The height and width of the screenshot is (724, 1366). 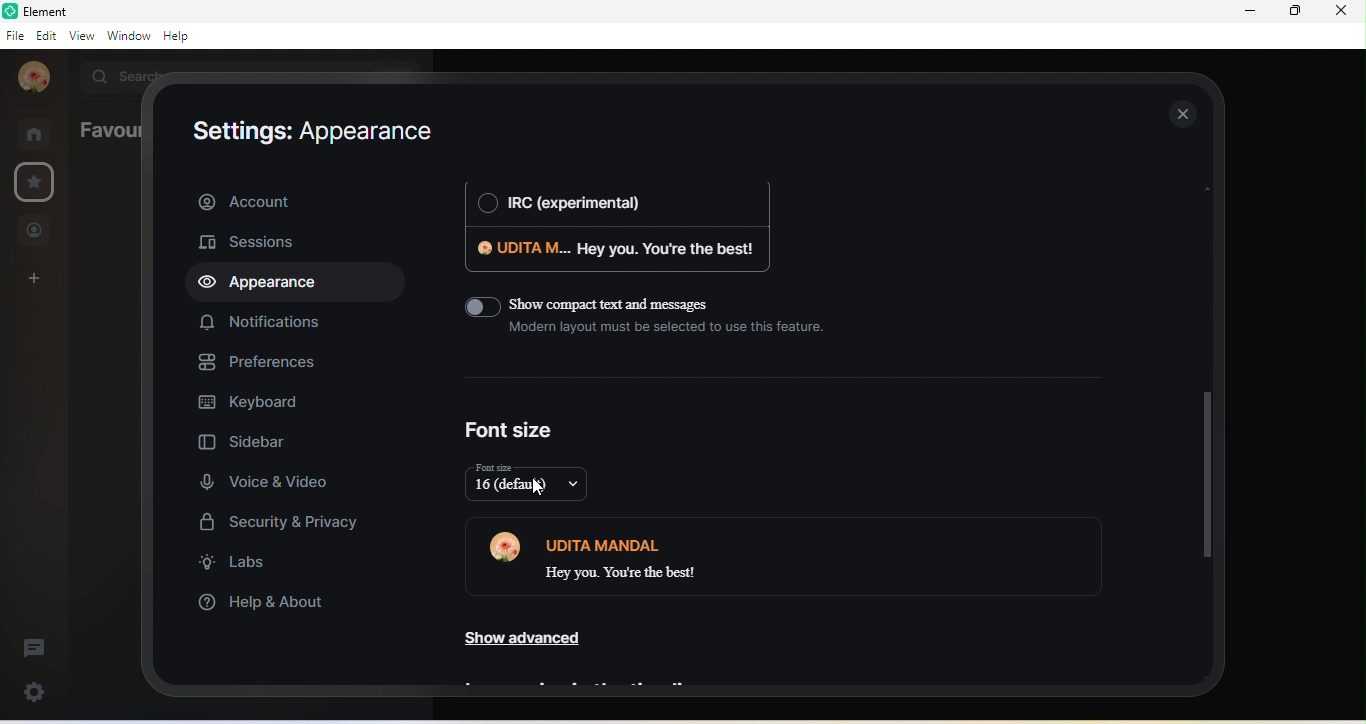 I want to click on setting: appearance, so click(x=316, y=136).